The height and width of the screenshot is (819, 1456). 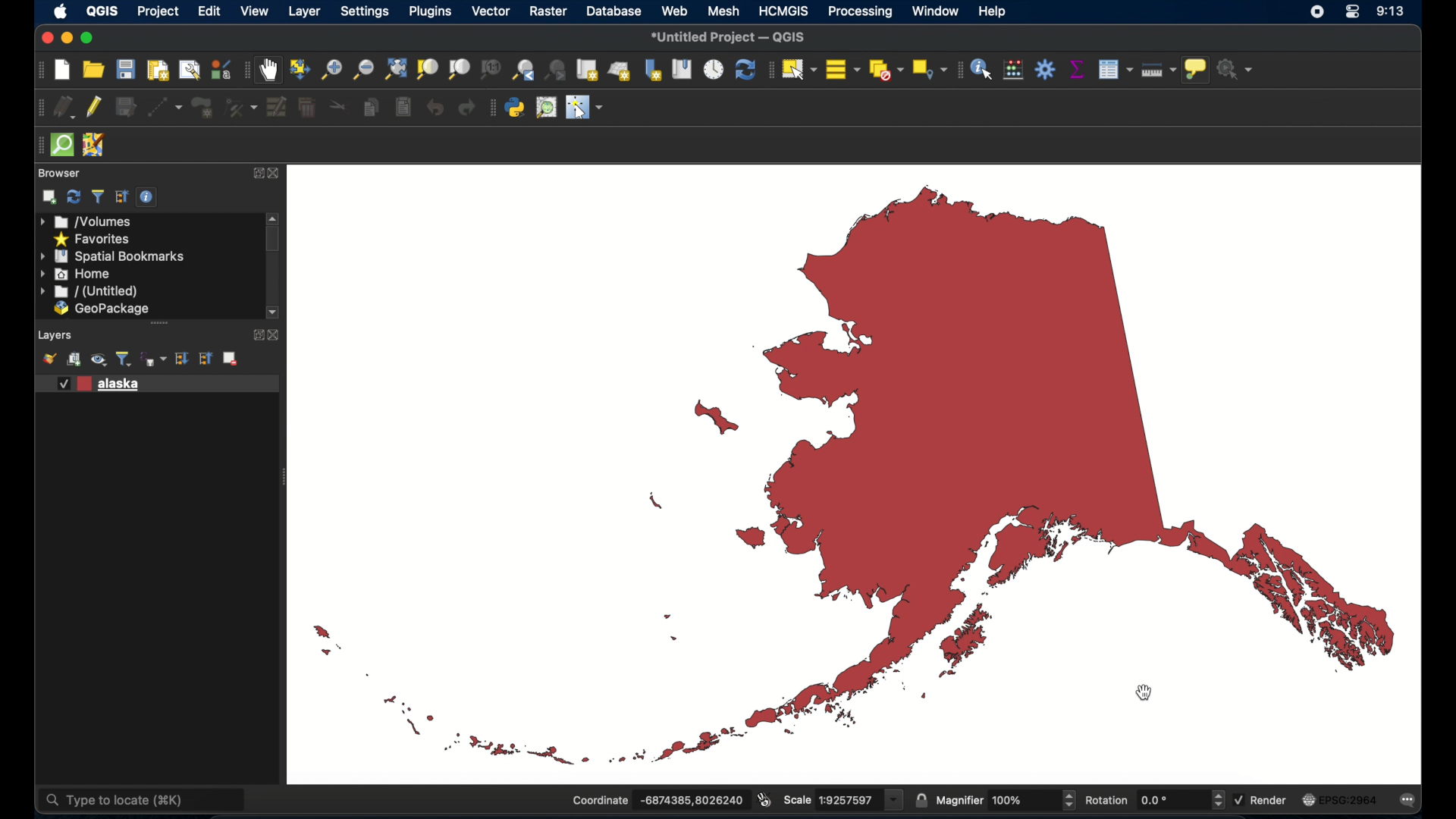 What do you see at coordinates (210, 11) in the screenshot?
I see `edit` at bounding box center [210, 11].